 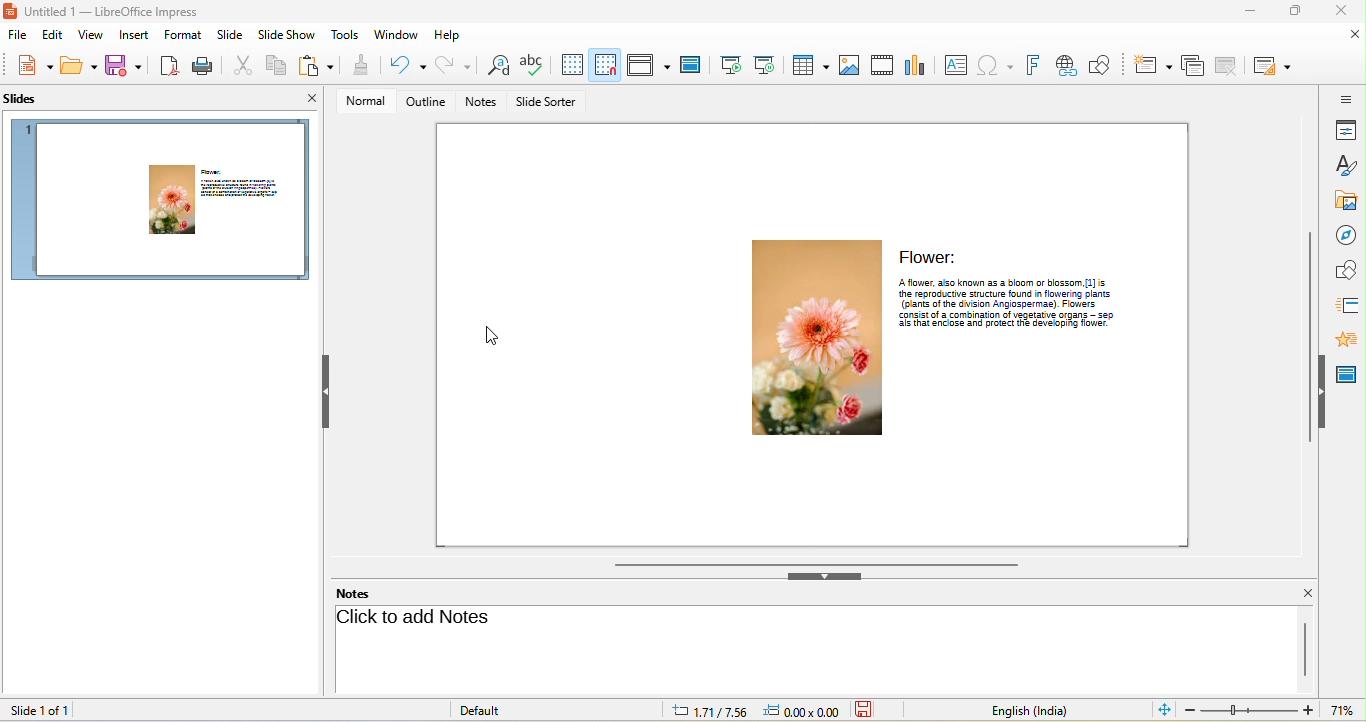 What do you see at coordinates (997, 304) in the screenshot?
I see `(plants of the dwvision Angiospermae). Flowers` at bounding box center [997, 304].